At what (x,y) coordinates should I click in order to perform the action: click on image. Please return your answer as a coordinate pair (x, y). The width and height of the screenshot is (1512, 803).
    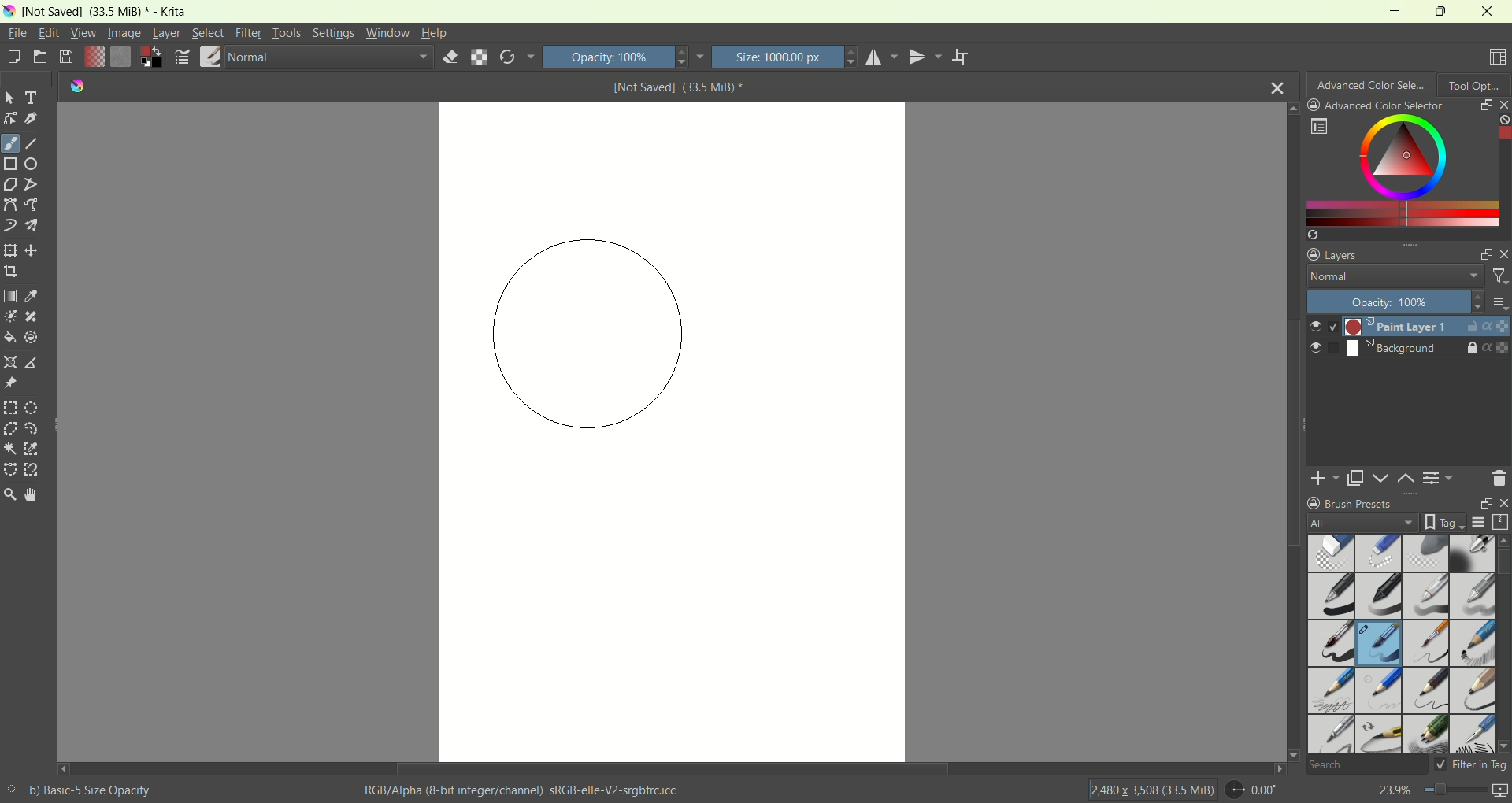
    Looking at the image, I should click on (126, 33).